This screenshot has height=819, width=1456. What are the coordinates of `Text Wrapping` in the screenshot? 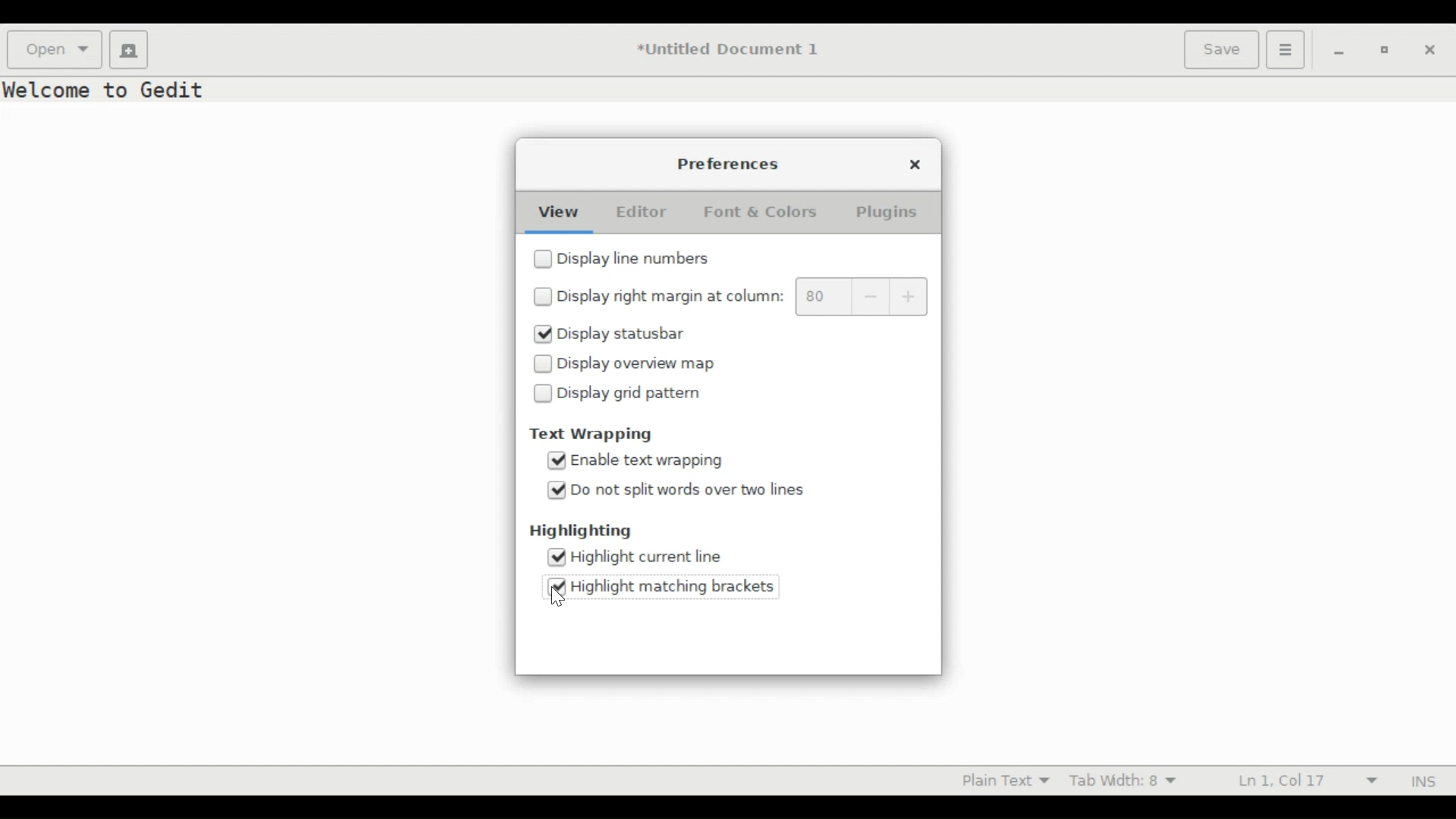 It's located at (592, 435).